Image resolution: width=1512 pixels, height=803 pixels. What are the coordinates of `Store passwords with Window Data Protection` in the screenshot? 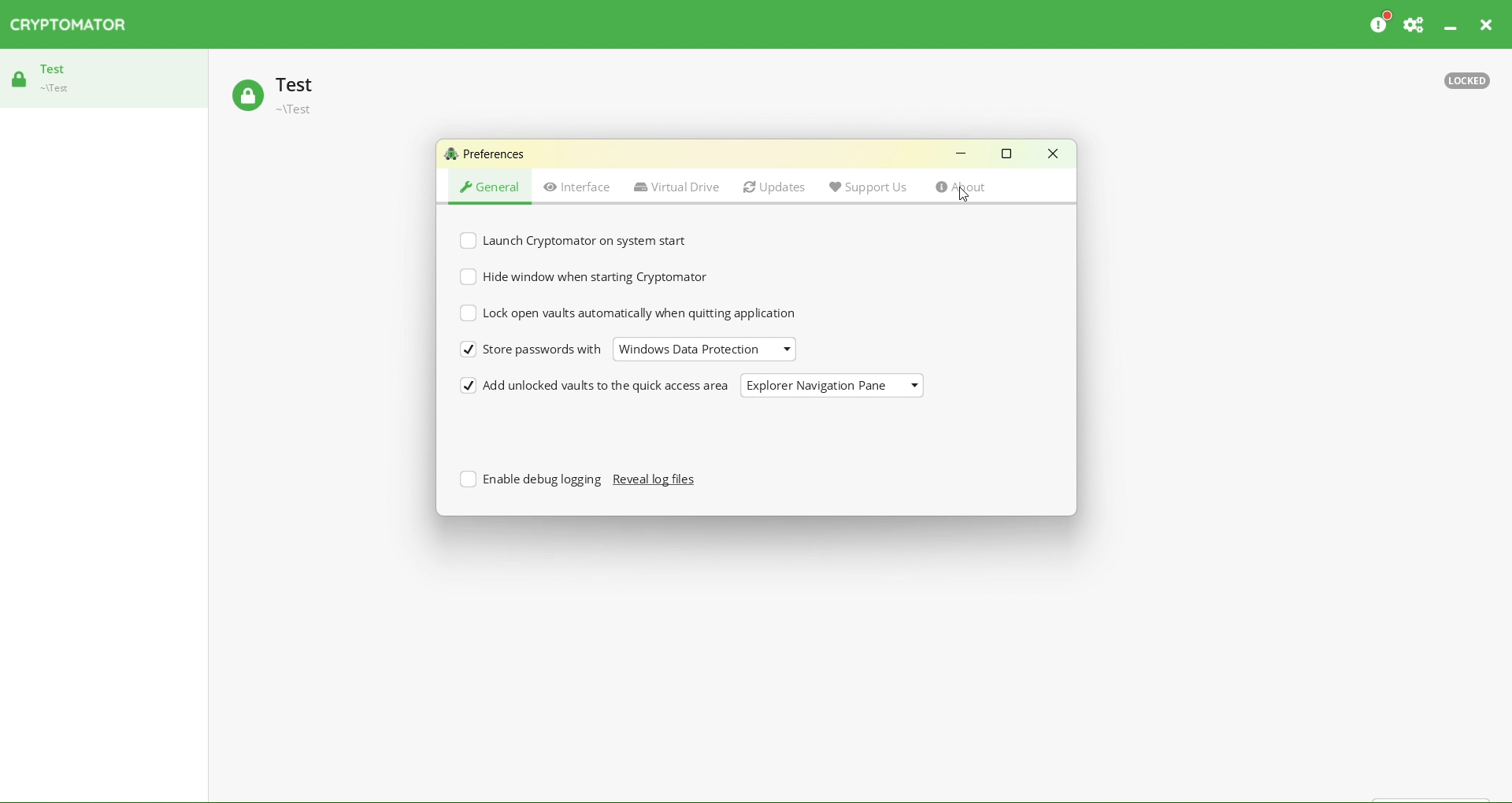 It's located at (638, 351).